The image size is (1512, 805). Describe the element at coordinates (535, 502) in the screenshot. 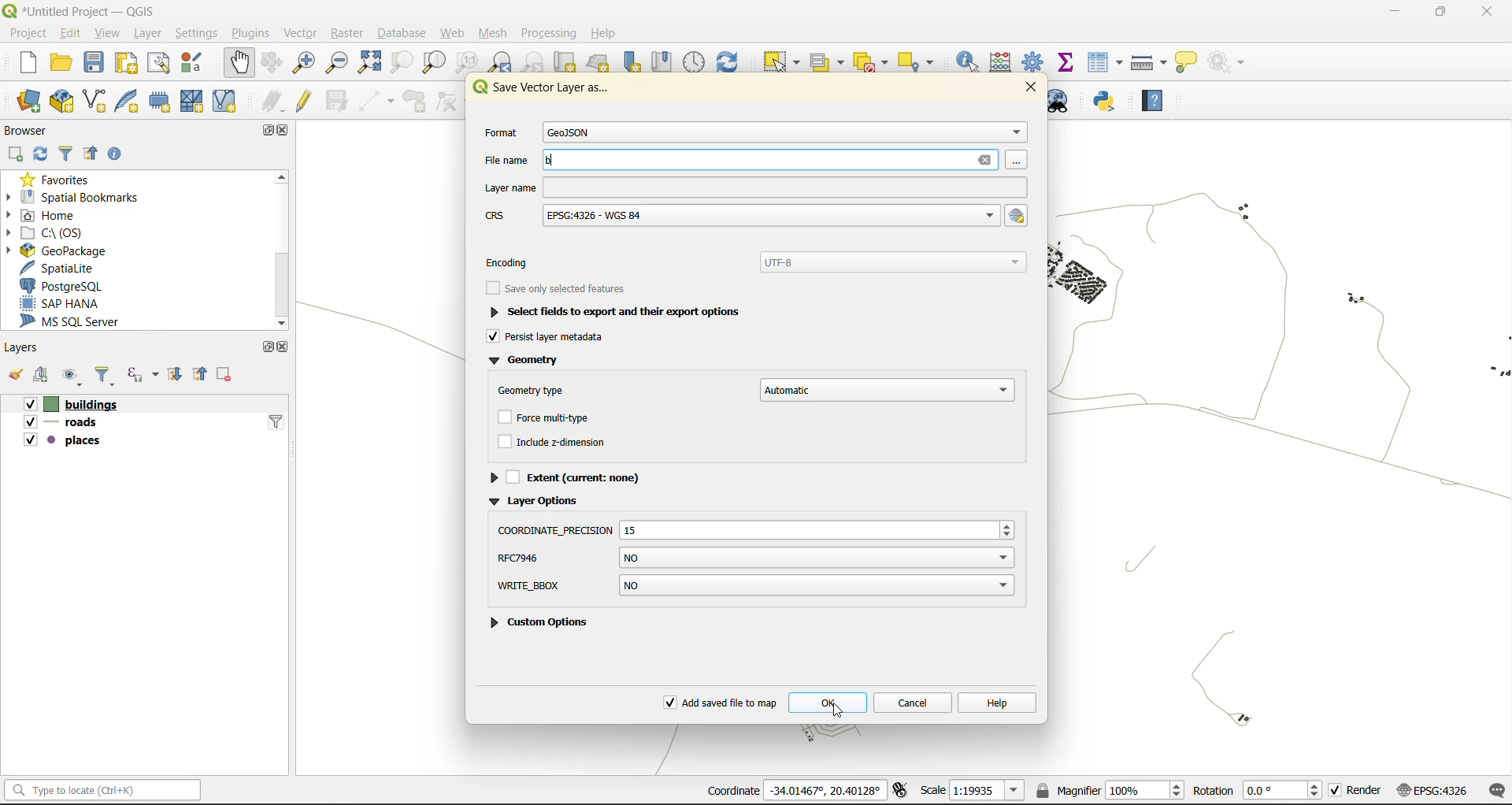

I see `layer options` at that location.